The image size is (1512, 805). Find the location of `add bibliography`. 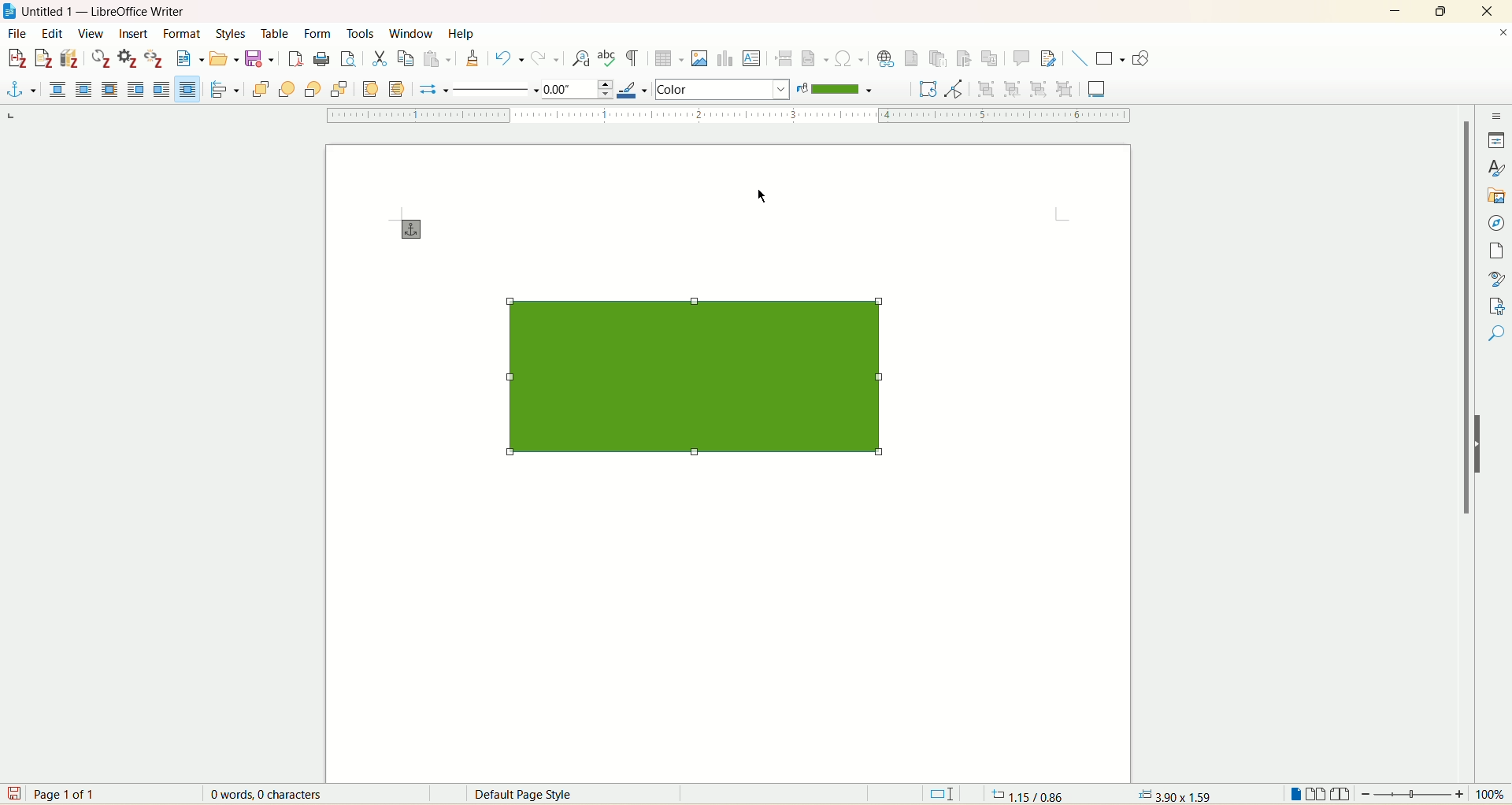

add bibliography is located at coordinates (70, 59).